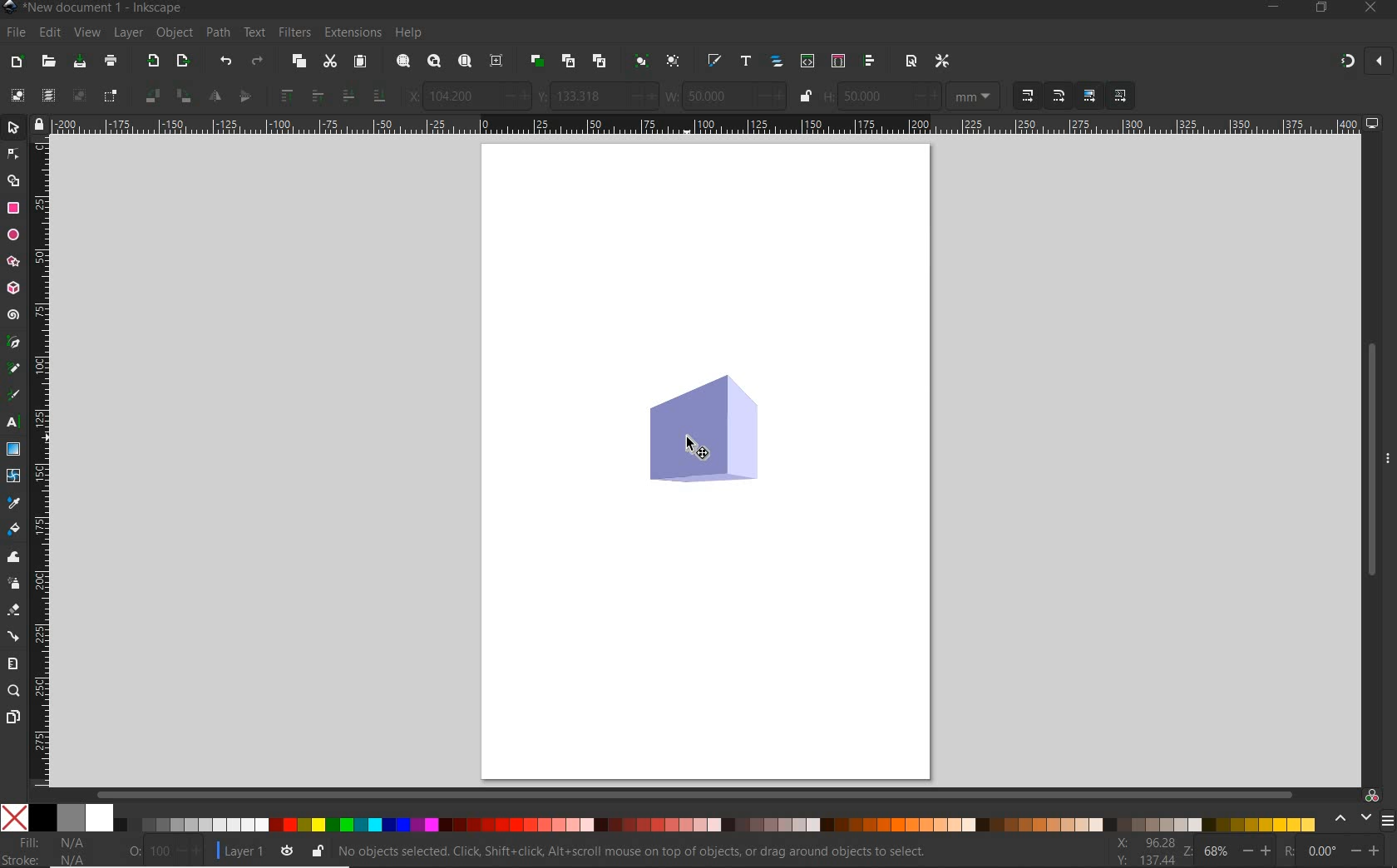 This screenshot has width=1397, height=868. Describe the element at coordinates (38, 124) in the screenshot. I see `lock` at that location.